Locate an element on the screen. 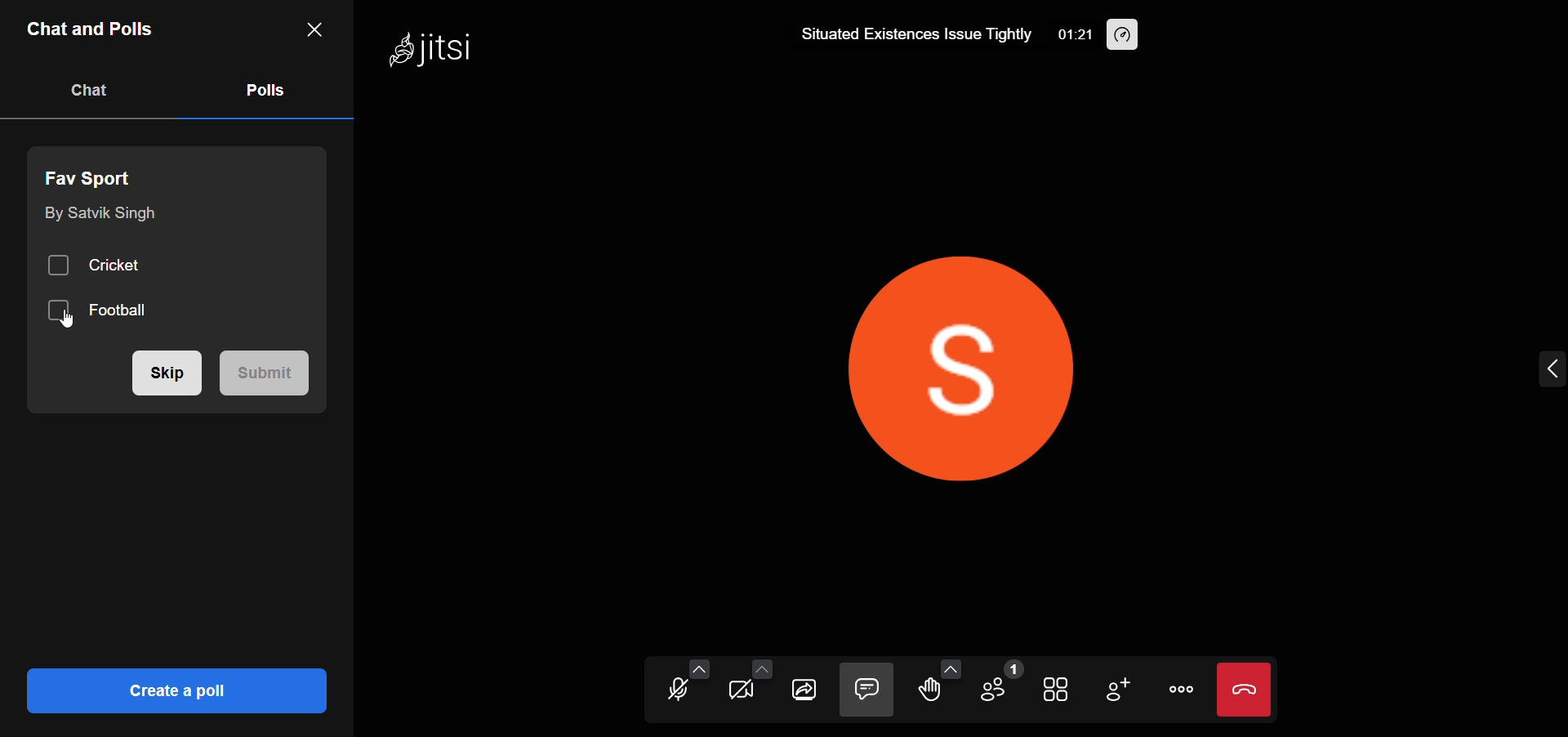 The height and width of the screenshot is (737, 1568). camera is located at coordinates (736, 691).